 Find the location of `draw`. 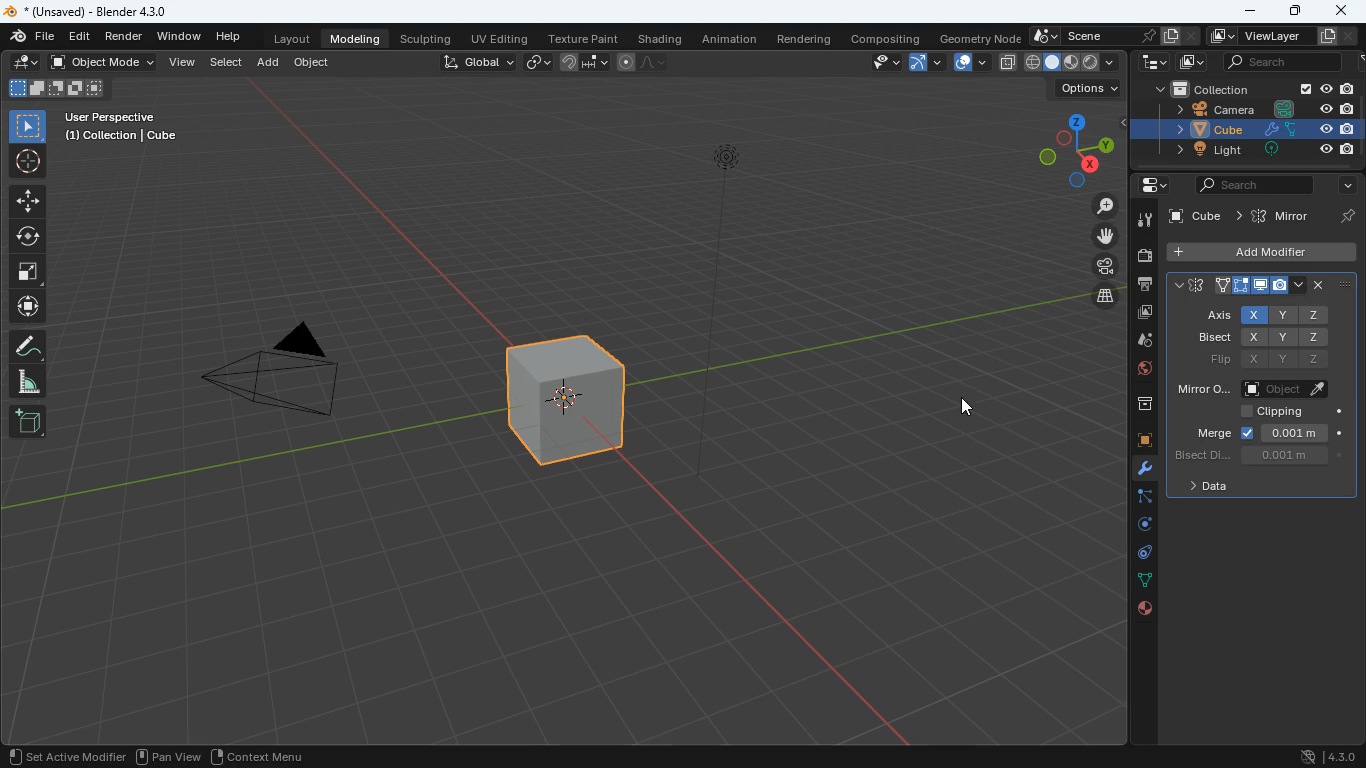

draw is located at coordinates (25, 347).